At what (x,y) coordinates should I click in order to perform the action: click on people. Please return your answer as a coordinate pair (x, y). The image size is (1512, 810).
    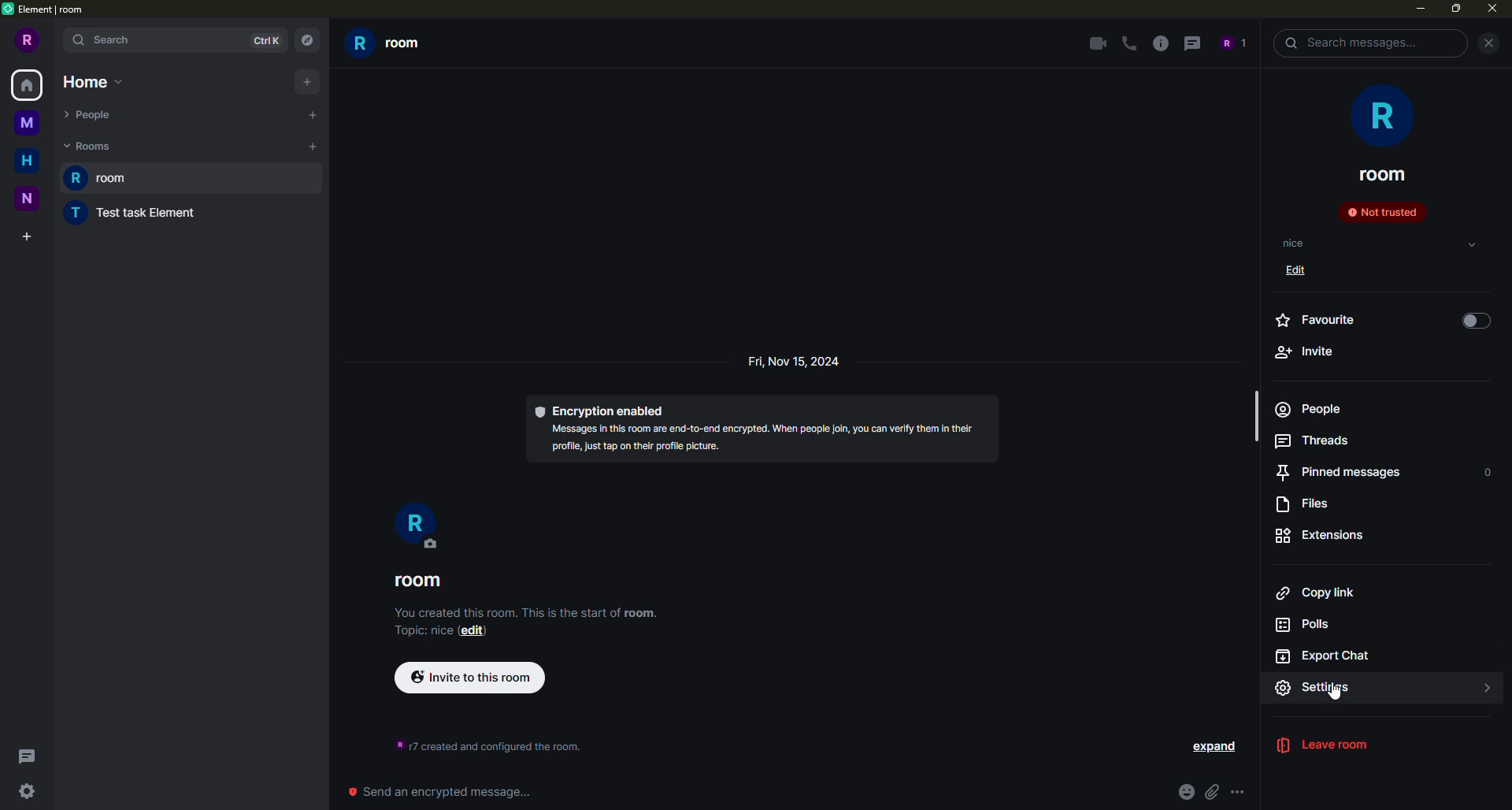
    Looking at the image, I should click on (1307, 409).